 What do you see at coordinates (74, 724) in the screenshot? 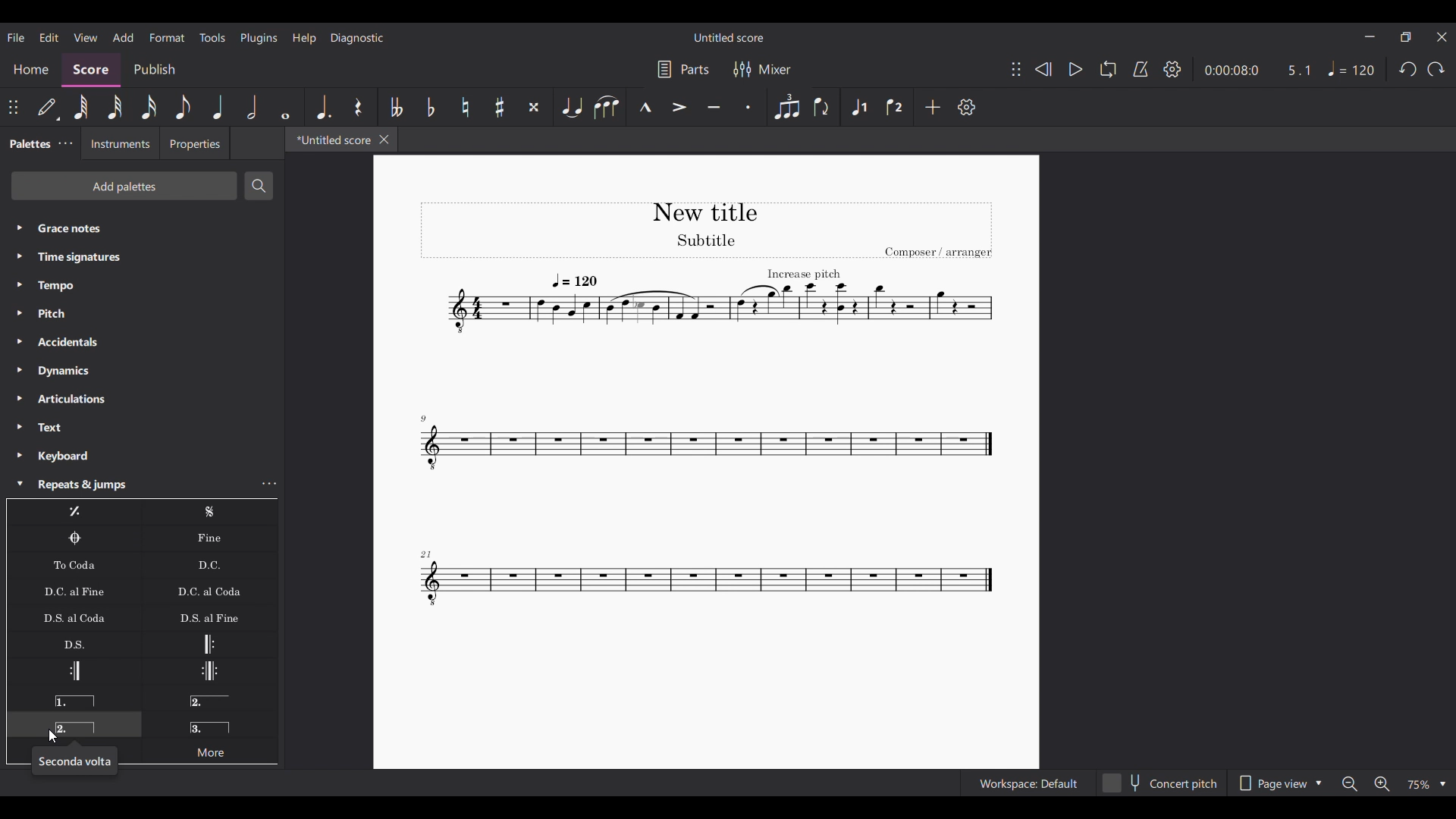
I see `Seconda volta` at bounding box center [74, 724].